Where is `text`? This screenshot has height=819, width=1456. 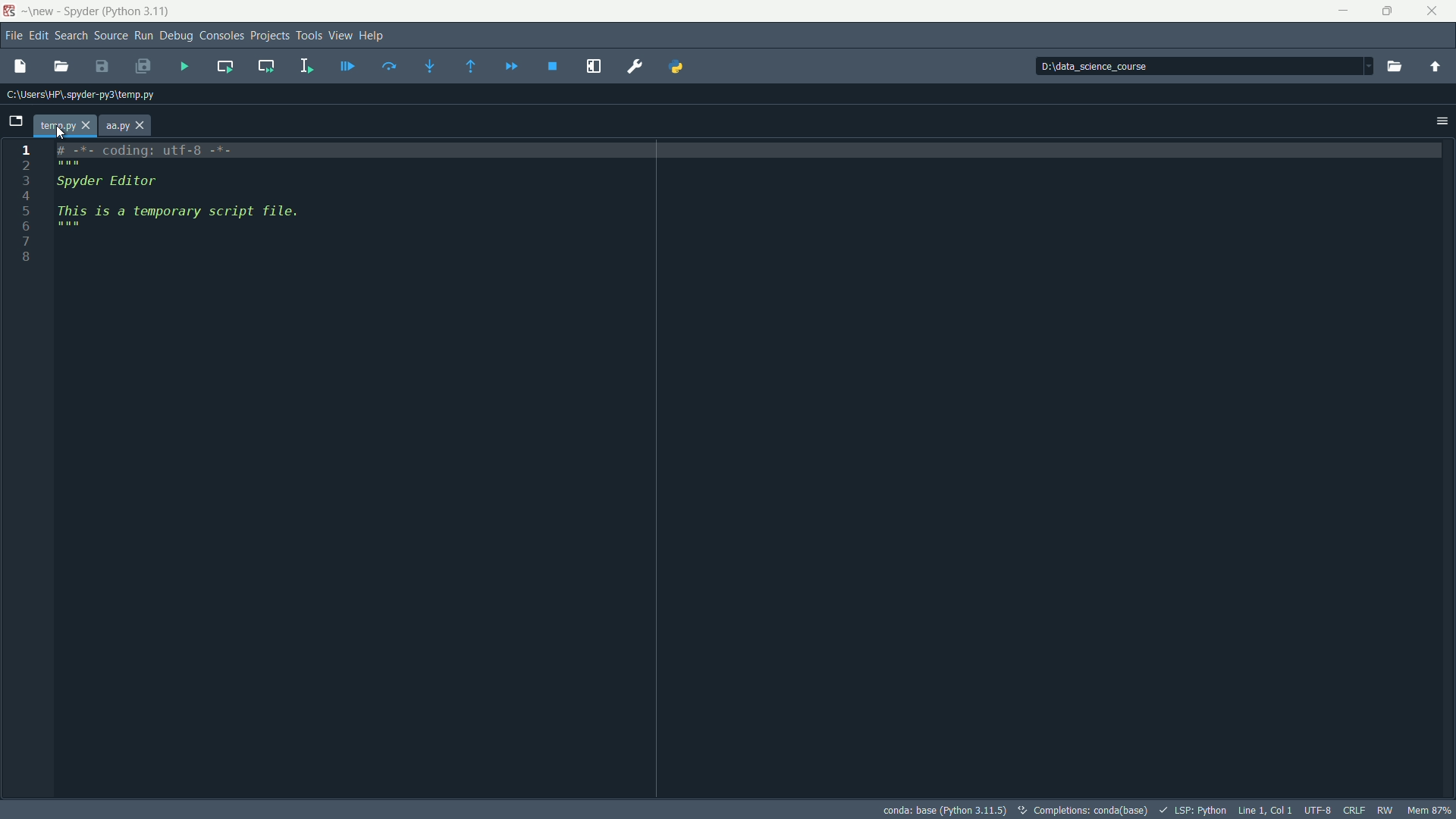
text is located at coordinates (1082, 810).